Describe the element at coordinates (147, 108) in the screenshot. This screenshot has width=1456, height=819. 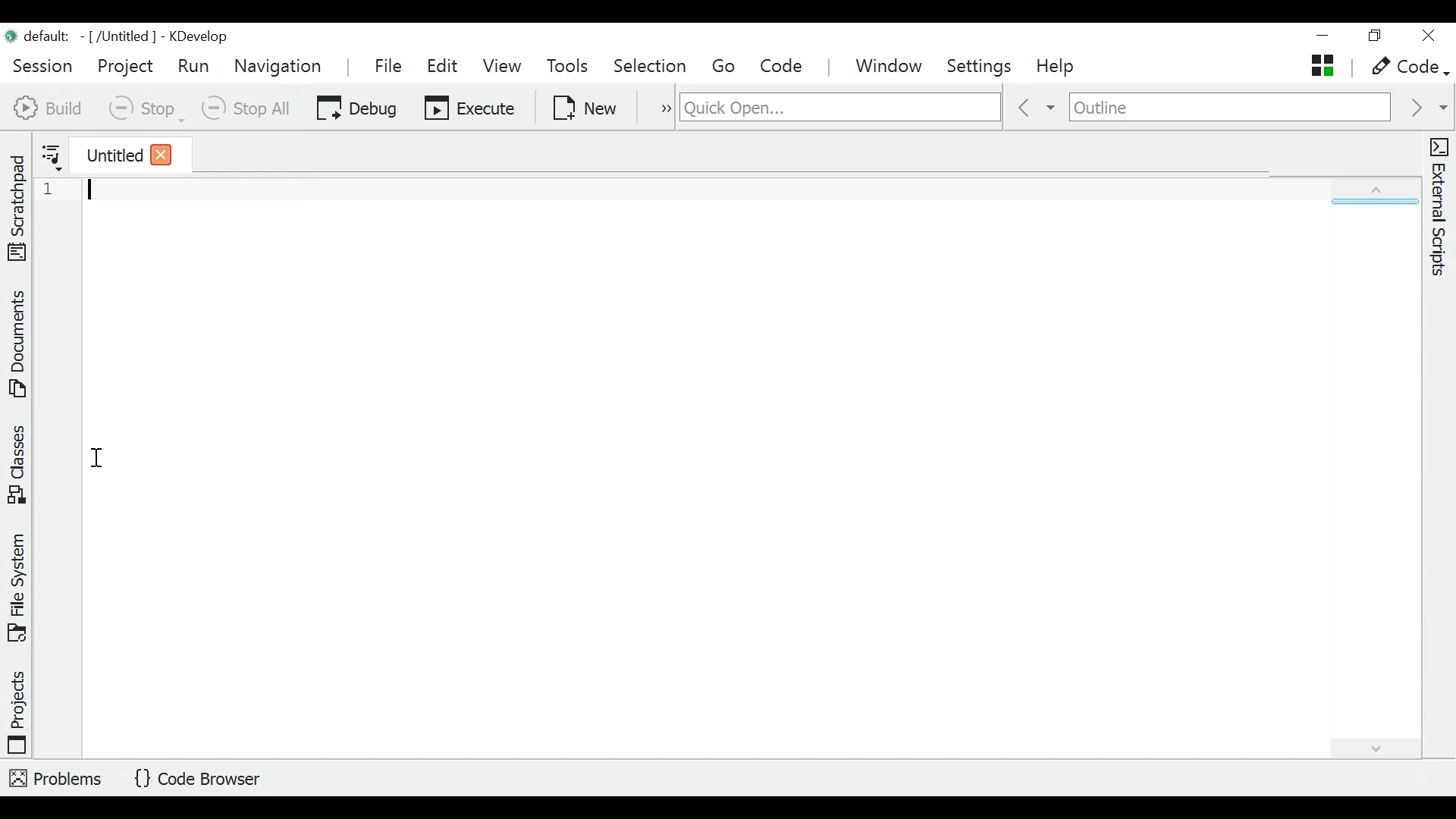
I see `Stop` at that location.